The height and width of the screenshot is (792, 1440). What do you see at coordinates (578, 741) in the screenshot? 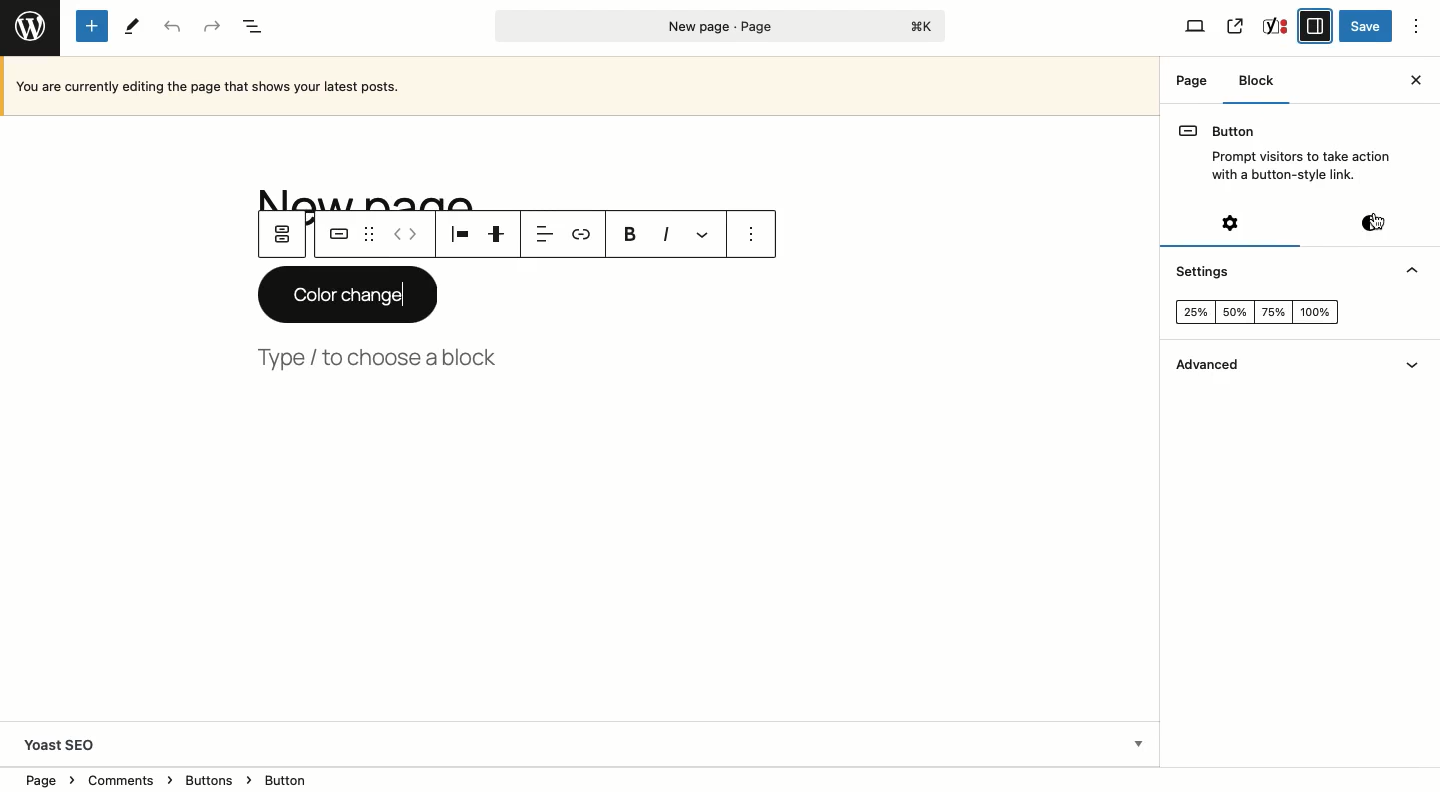
I see `Yoast SEO` at bounding box center [578, 741].